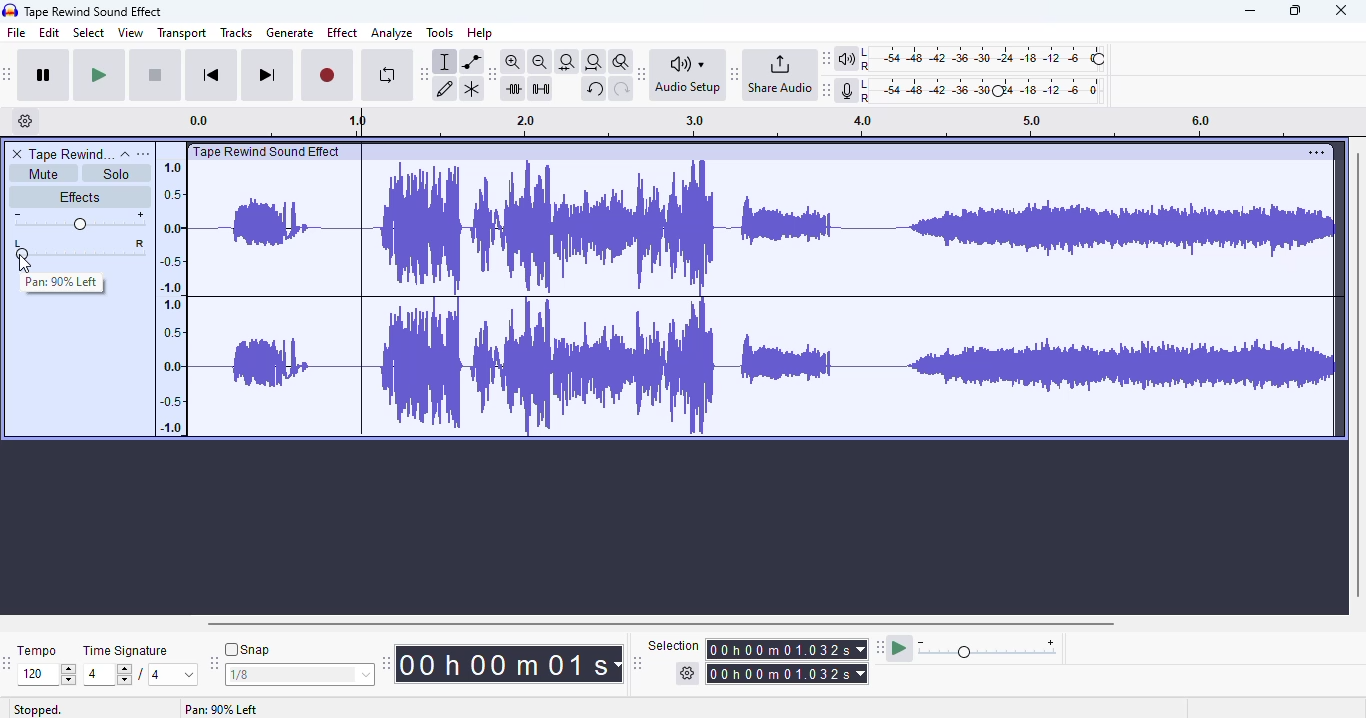 The height and width of the screenshot is (718, 1366). Describe the element at coordinates (26, 120) in the screenshot. I see `timeline options` at that location.